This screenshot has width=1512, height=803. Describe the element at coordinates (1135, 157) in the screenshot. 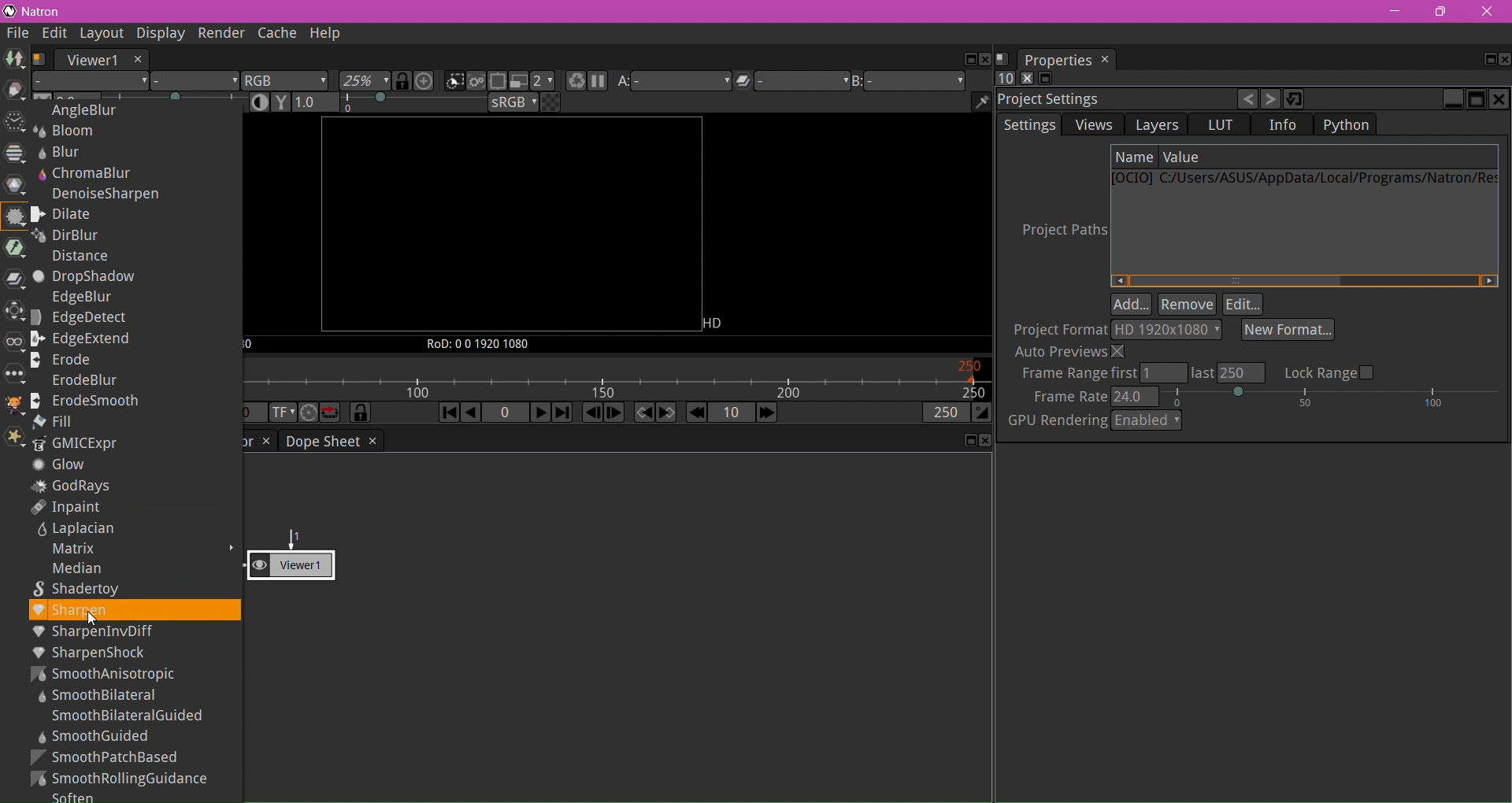

I see `Name` at that location.